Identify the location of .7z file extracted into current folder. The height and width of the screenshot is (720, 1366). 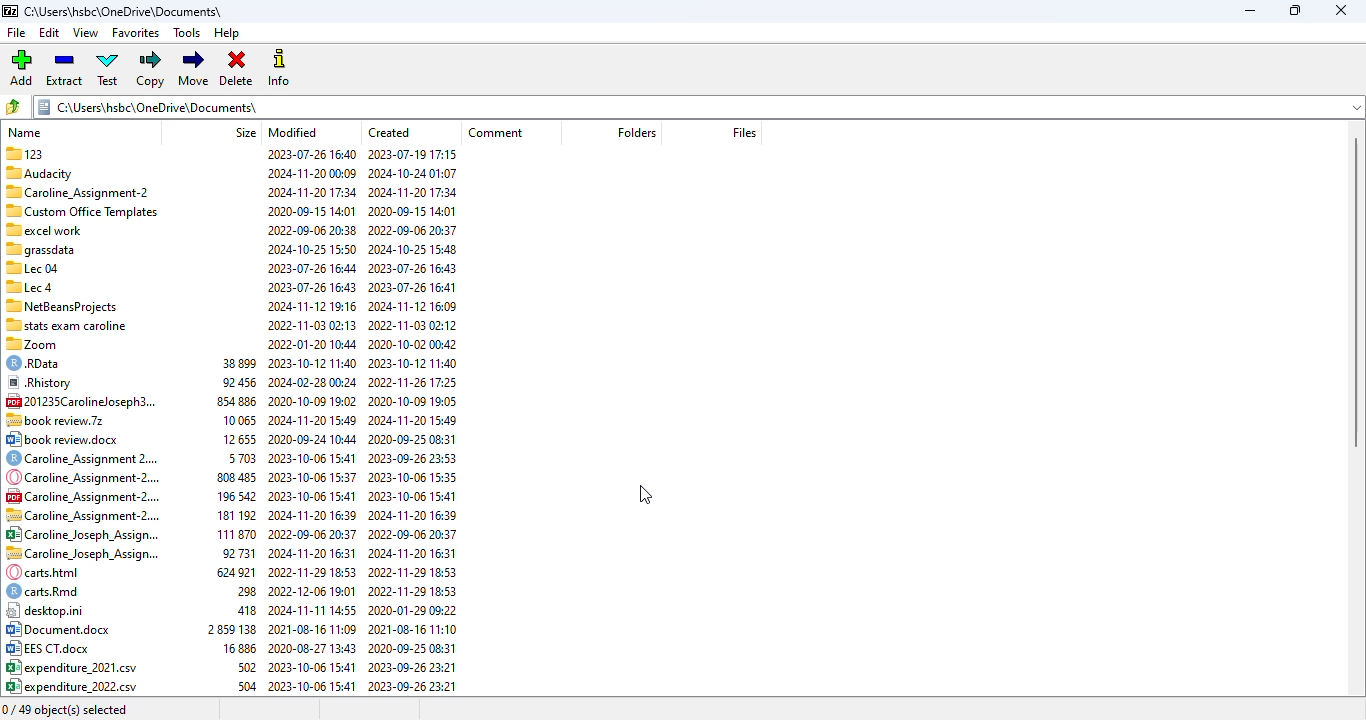
(55, 421).